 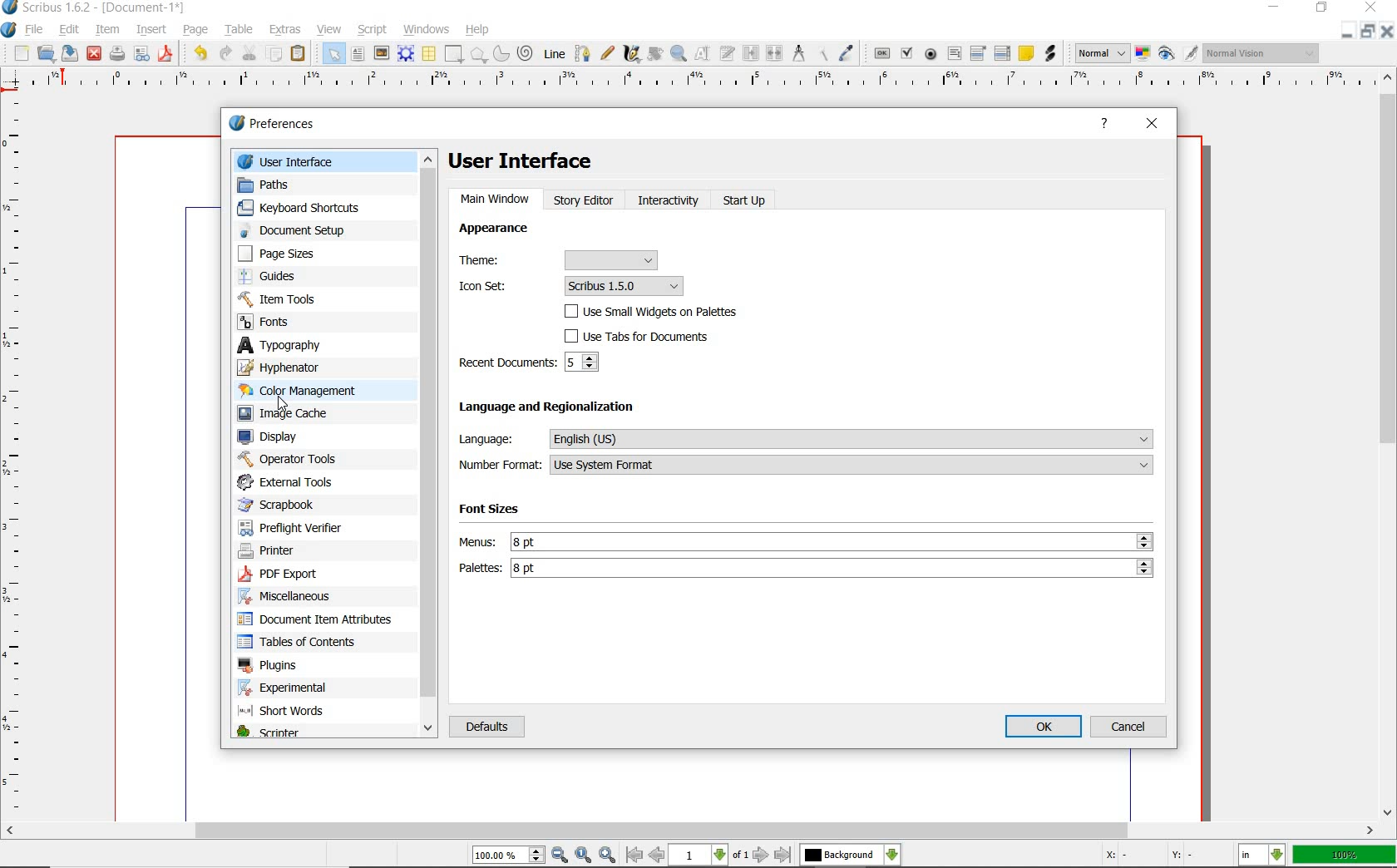 I want to click on scripter, so click(x=287, y=732).